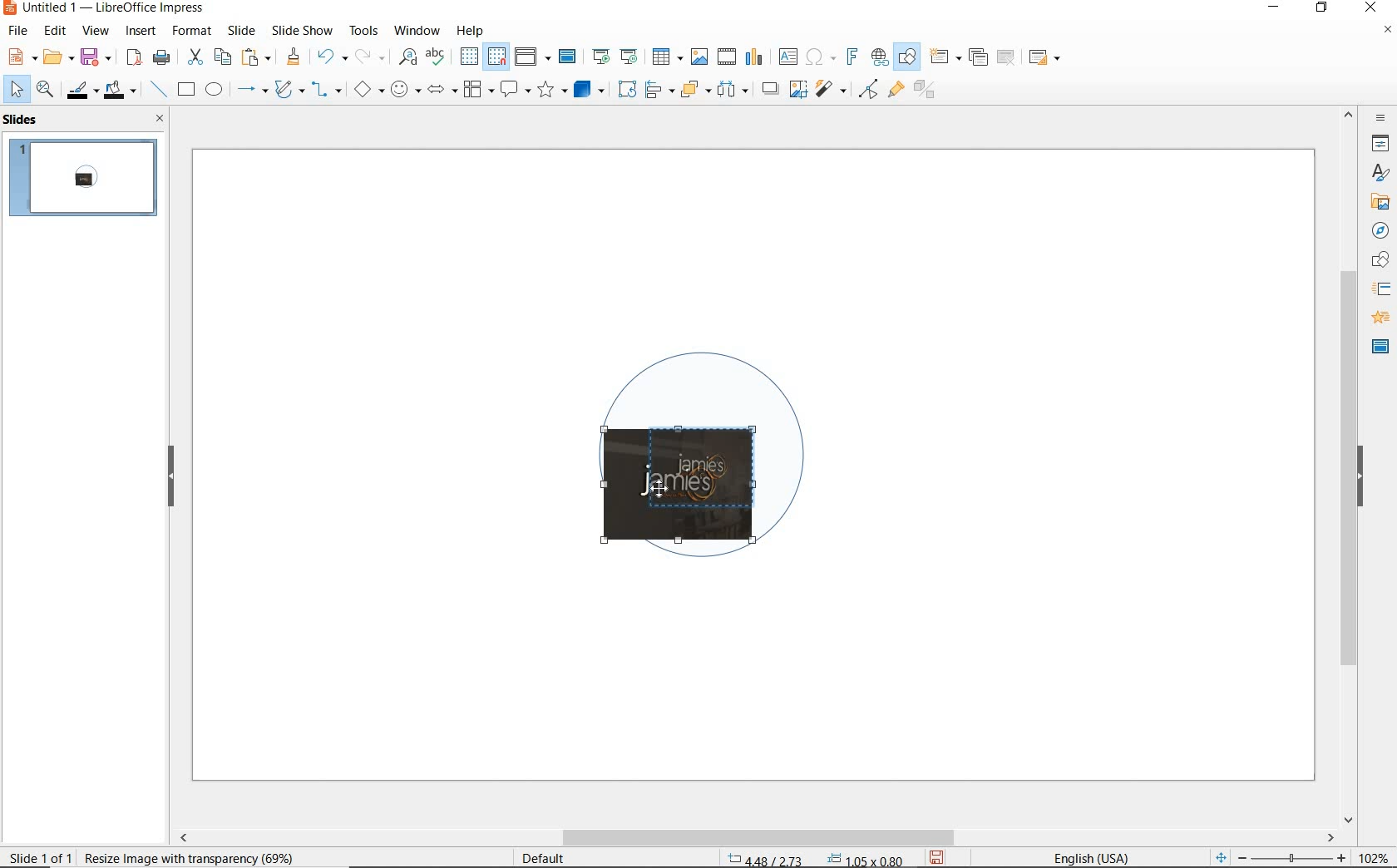 This screenshot has width=1397, height=868. What do you see at coordinates (754, 57) in the screenshot?
I see `insert chart` at bounding box center [754, 57].